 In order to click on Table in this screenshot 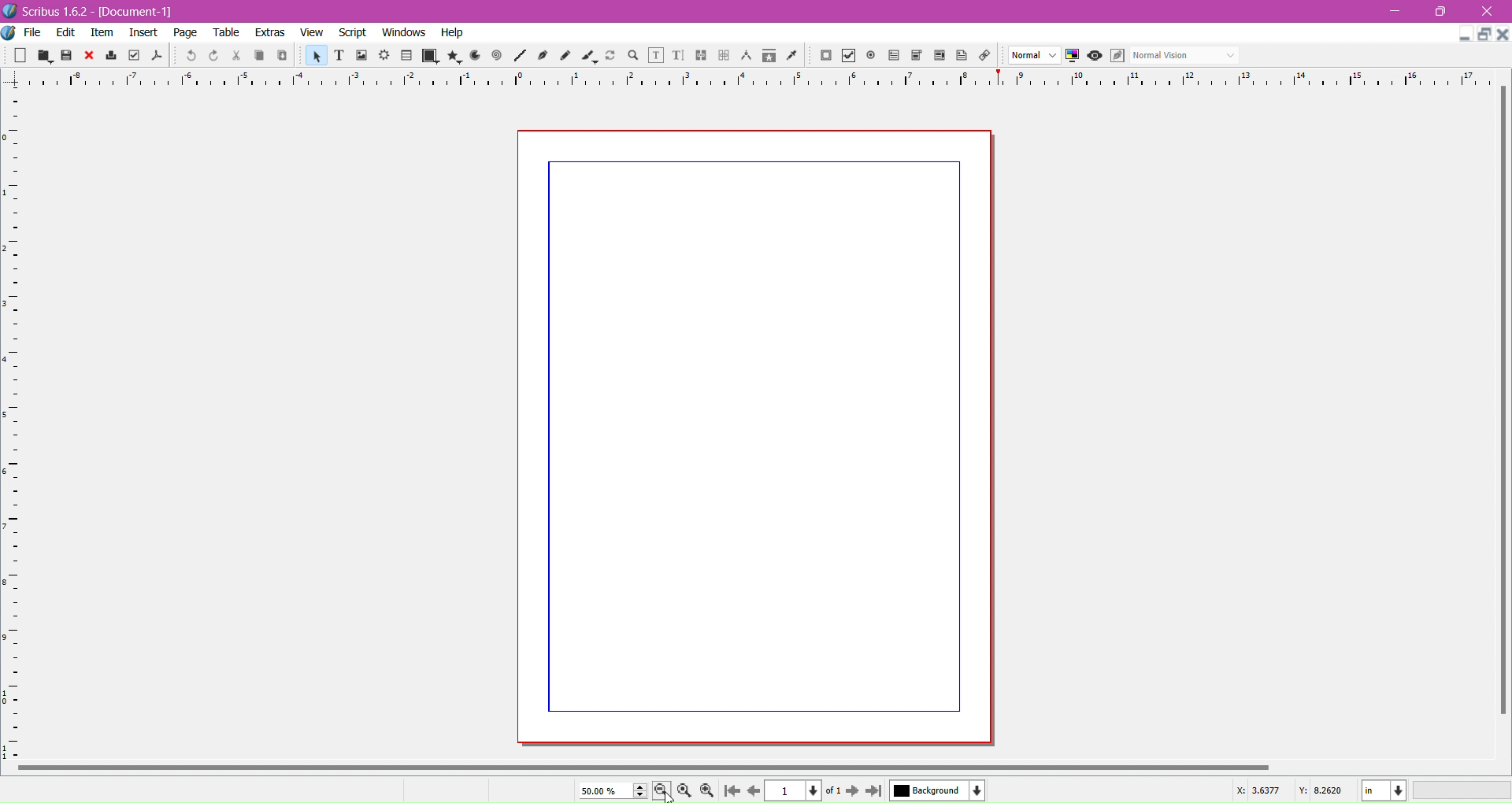, I will do `click(226, 32)`.